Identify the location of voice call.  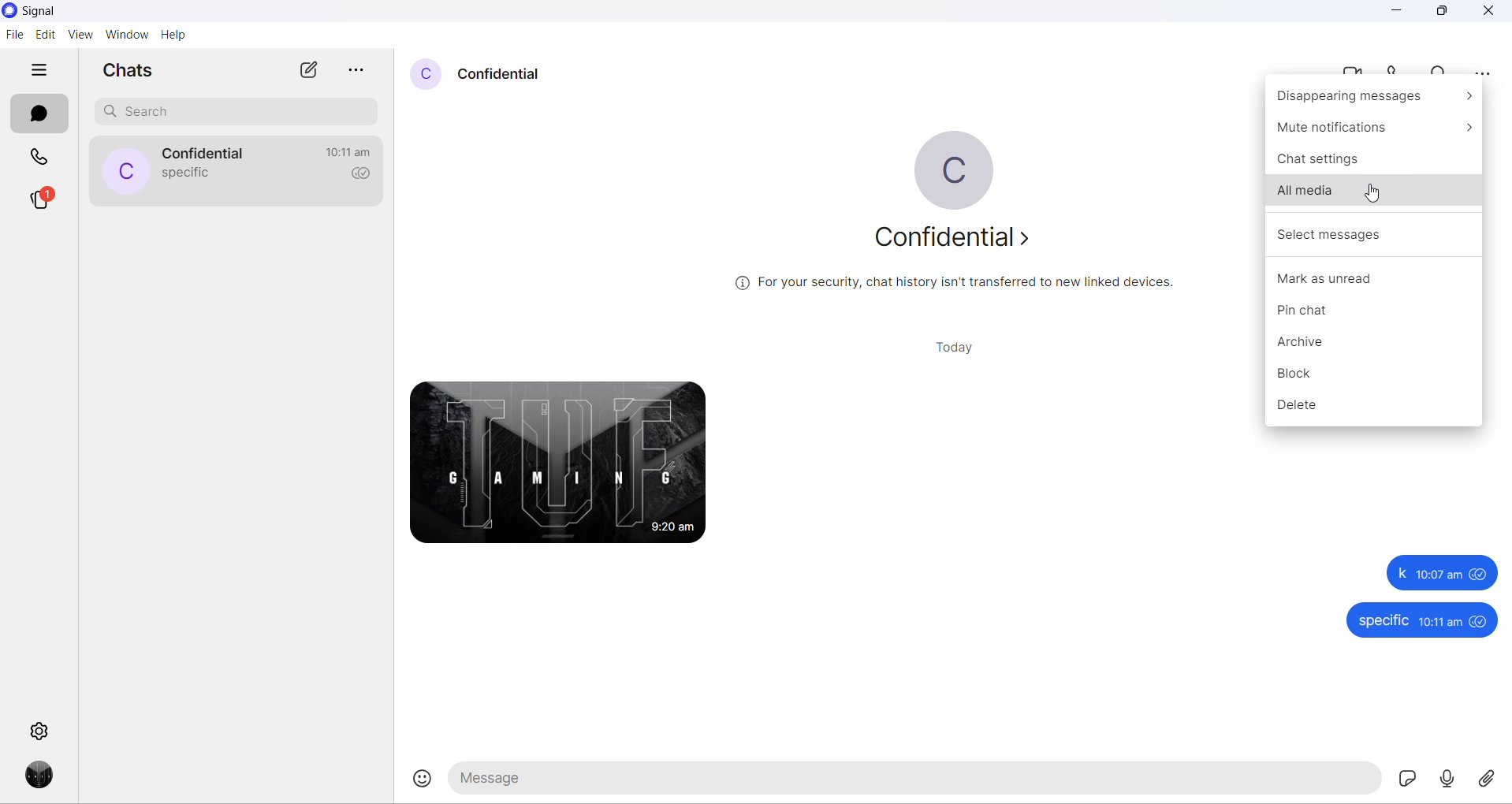
(1398, 69).